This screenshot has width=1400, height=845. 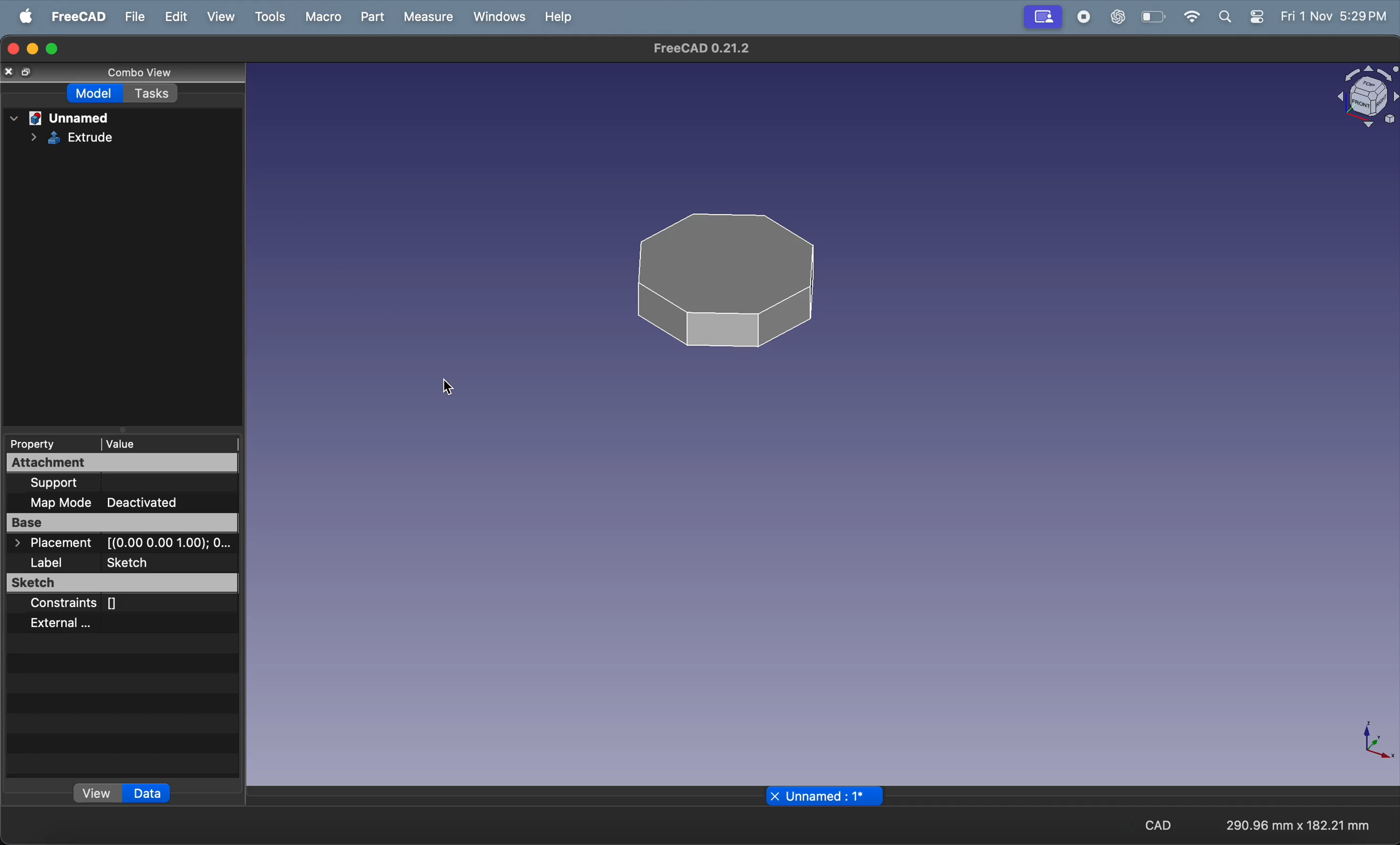 I want to click on time and date, so click(x=1332, y=15).